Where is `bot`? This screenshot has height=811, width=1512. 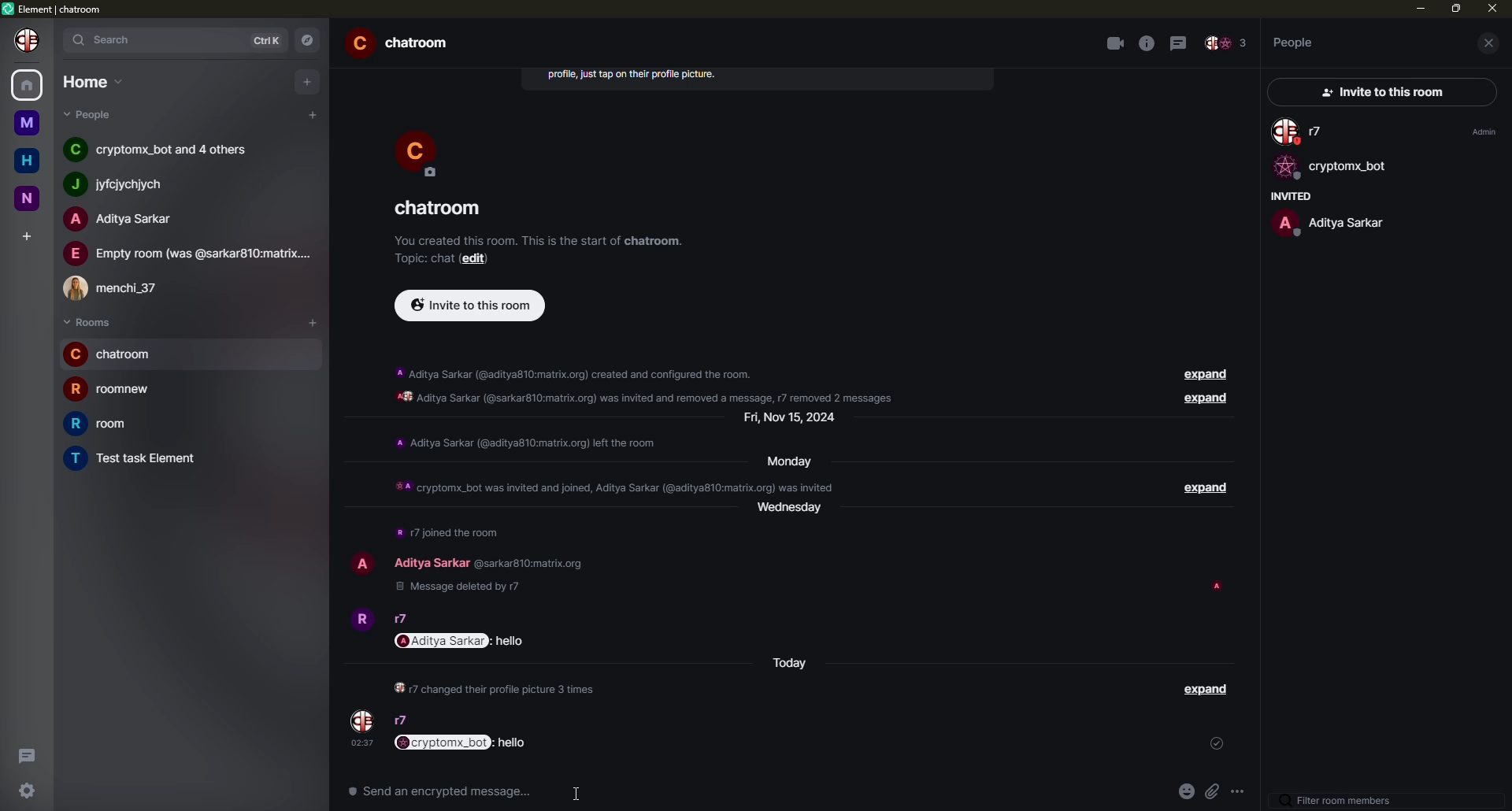
bot is located at coordinates (1330, 168).